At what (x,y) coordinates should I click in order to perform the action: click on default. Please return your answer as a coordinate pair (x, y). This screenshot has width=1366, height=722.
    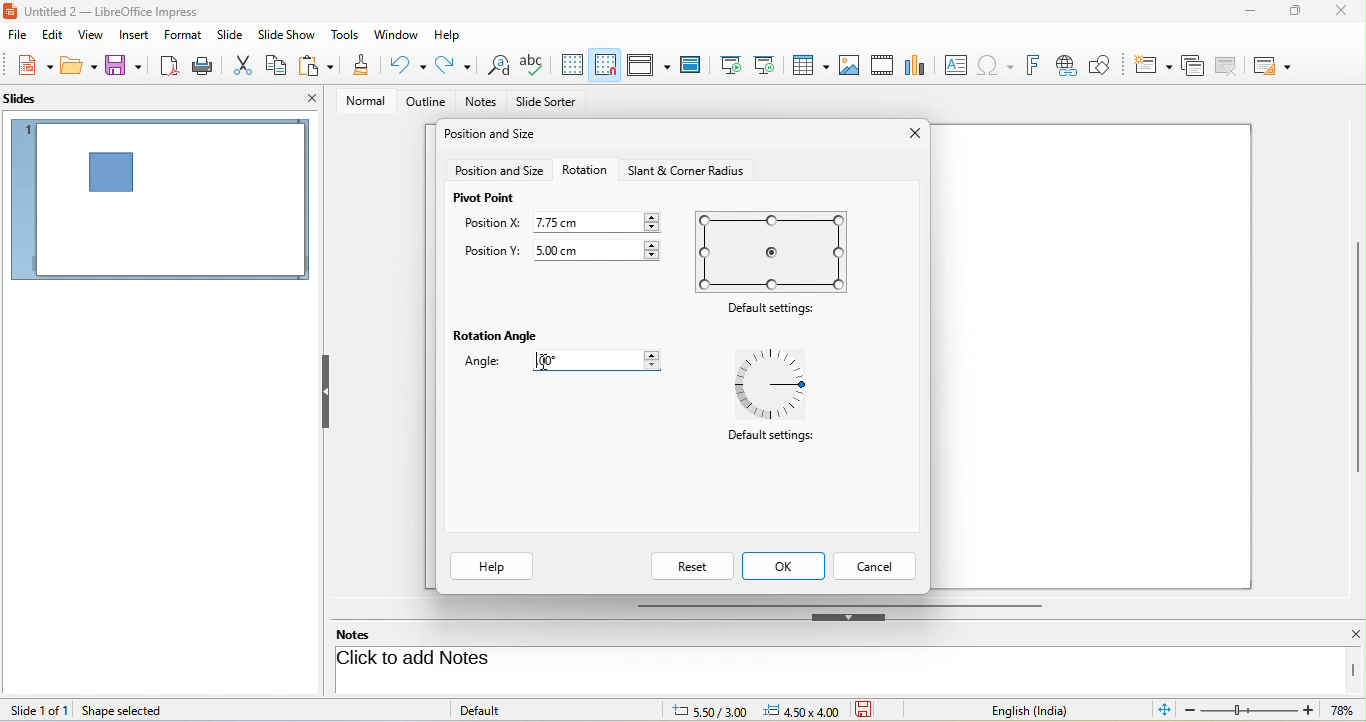
    Looking at the image, I should click on (502, 709).